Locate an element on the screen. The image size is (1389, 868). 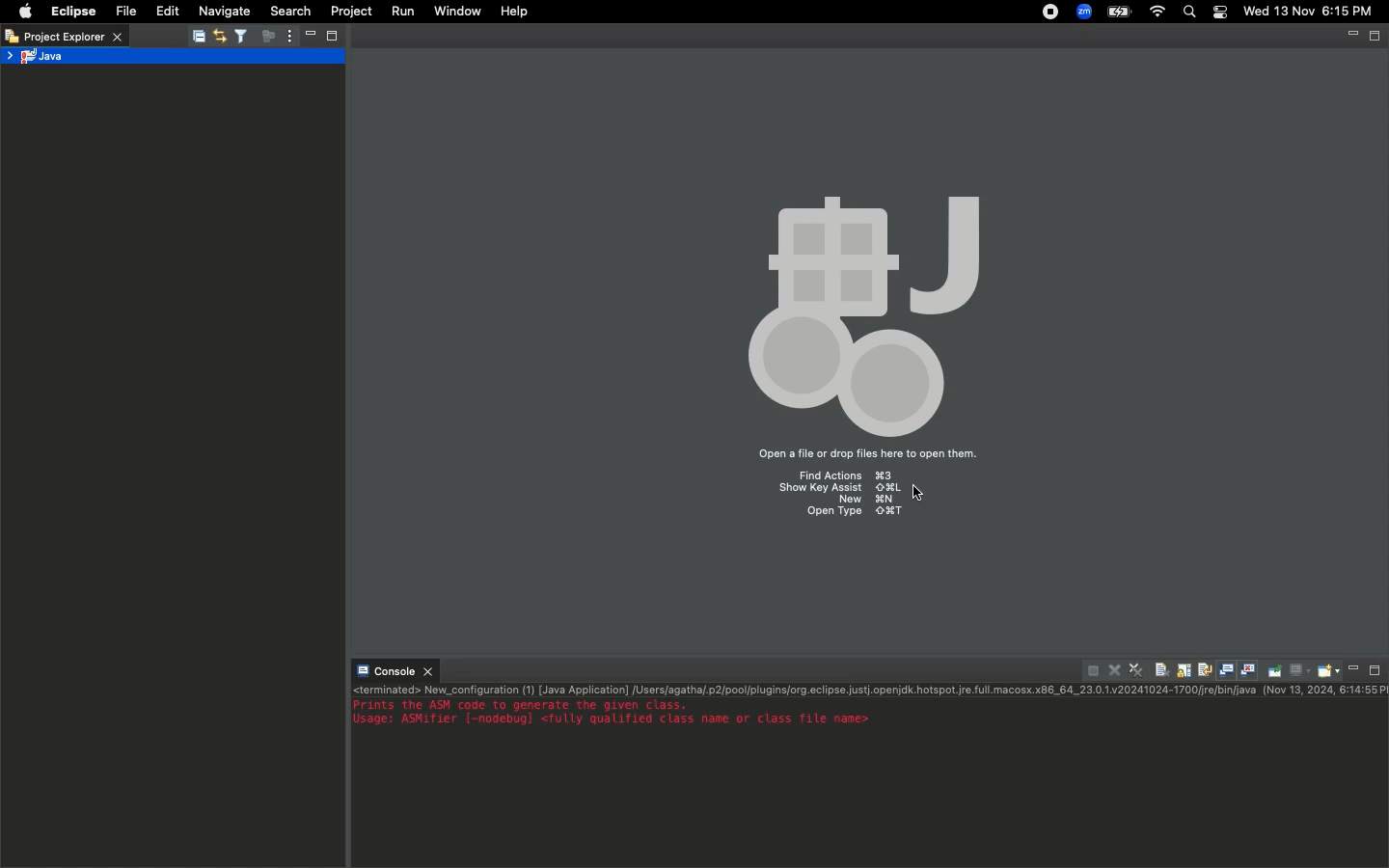
Maximize is located at coordinates (333, 38).